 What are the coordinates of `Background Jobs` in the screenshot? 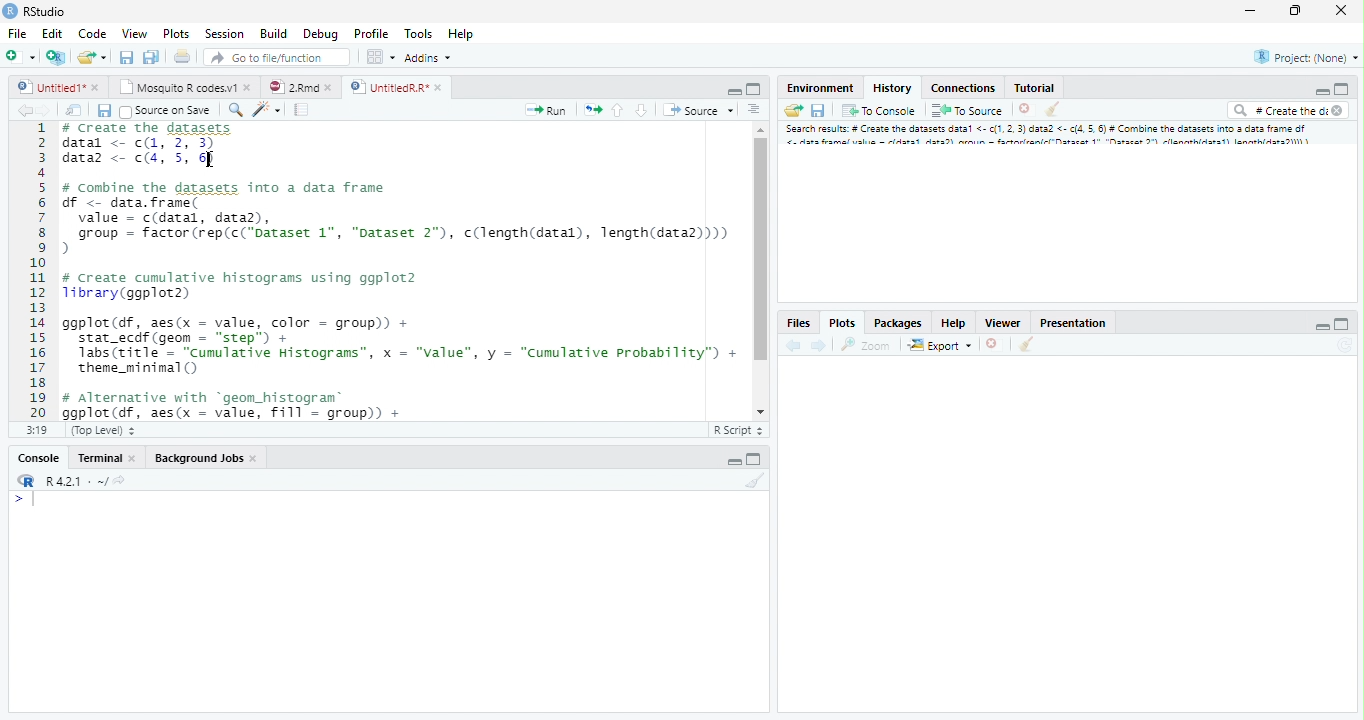 It's located at (207, 458).